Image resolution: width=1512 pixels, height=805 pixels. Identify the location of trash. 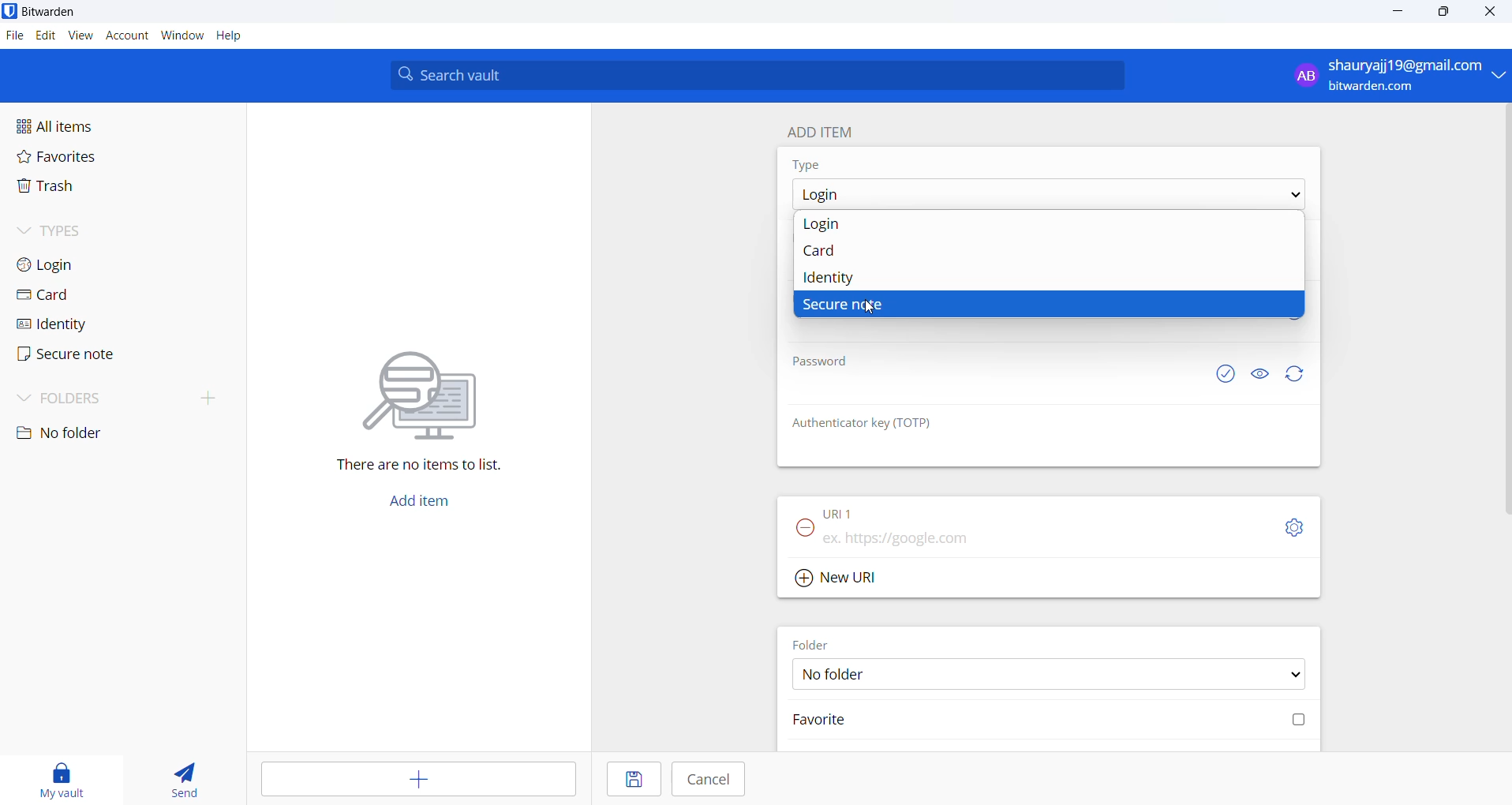
(92, 188).